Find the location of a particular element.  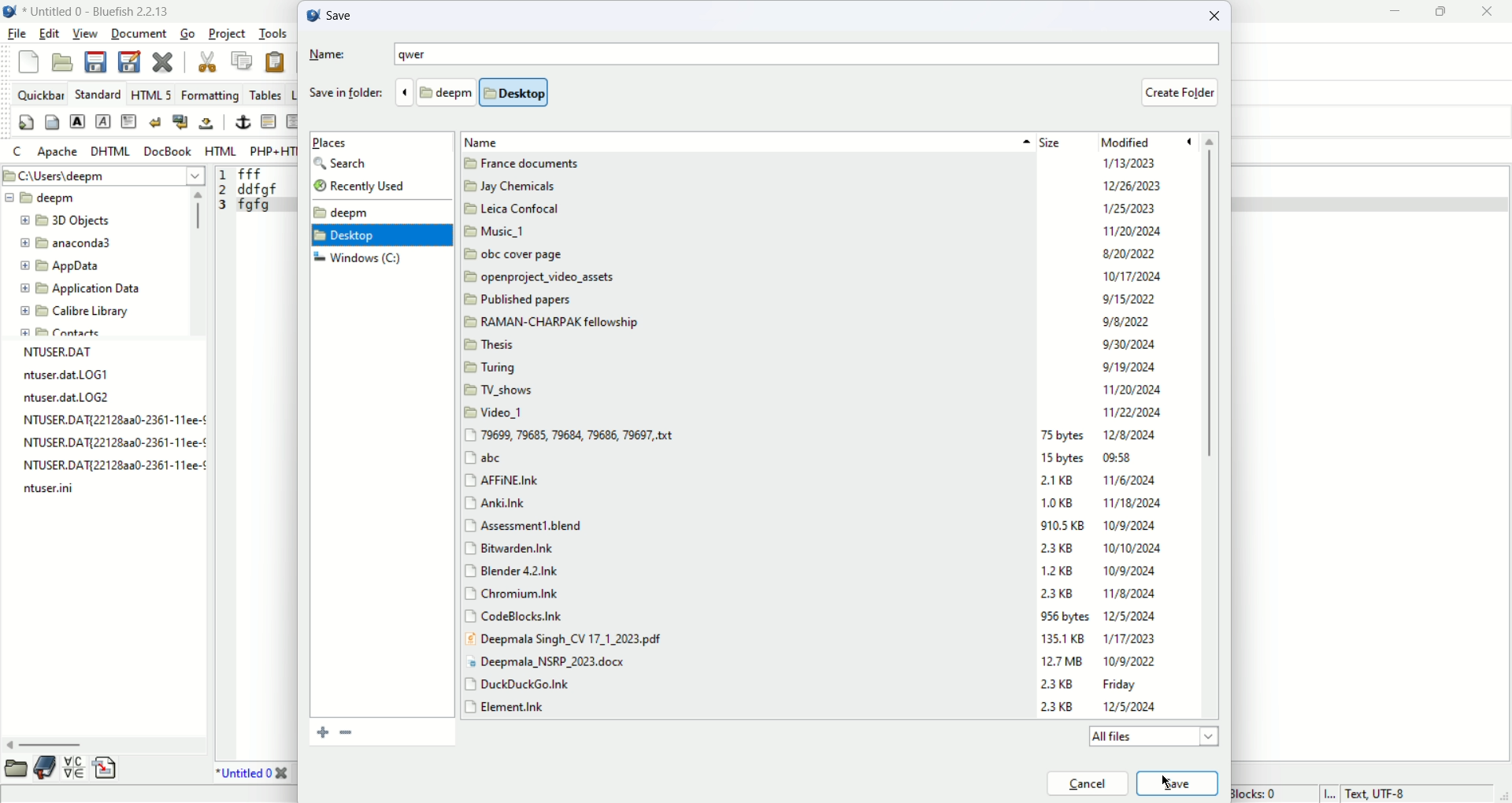

vertical scroll bar is located at coordinates (195, 260).